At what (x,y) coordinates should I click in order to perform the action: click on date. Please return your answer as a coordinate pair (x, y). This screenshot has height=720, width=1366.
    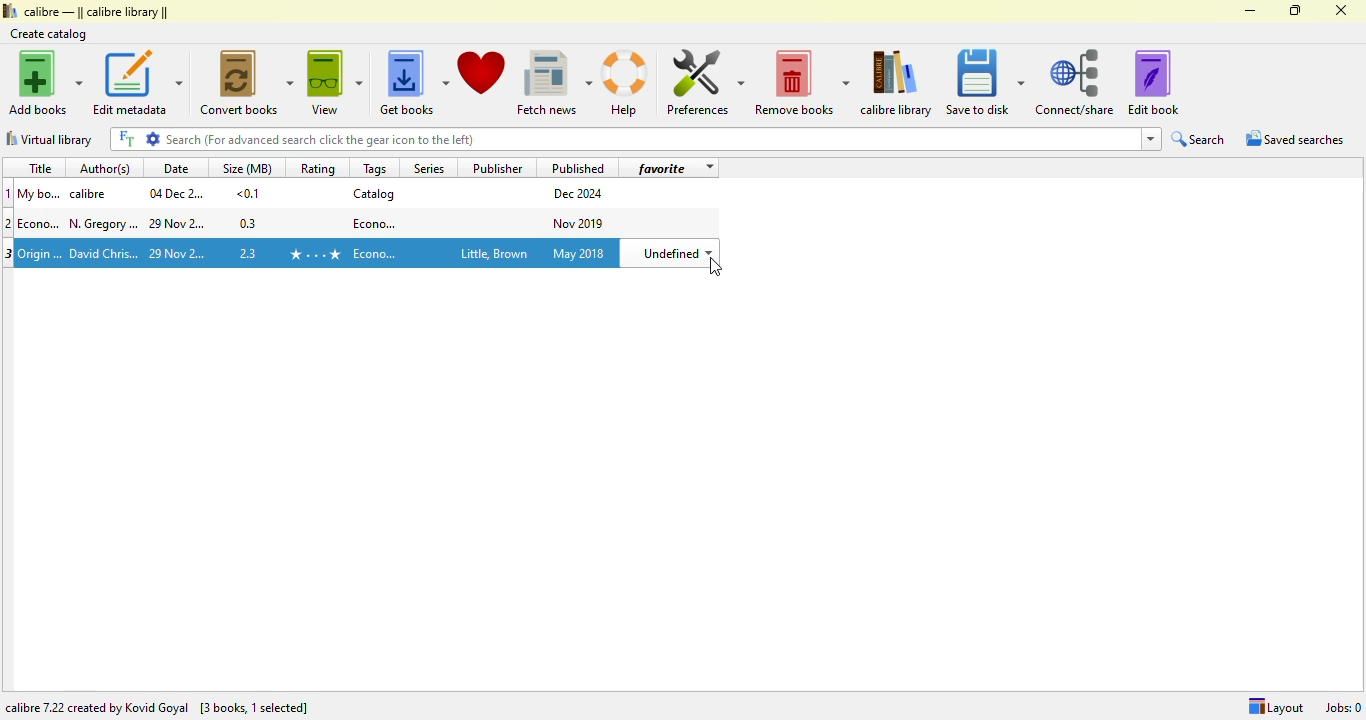
    Looking at the image, I should click on (179, 254).